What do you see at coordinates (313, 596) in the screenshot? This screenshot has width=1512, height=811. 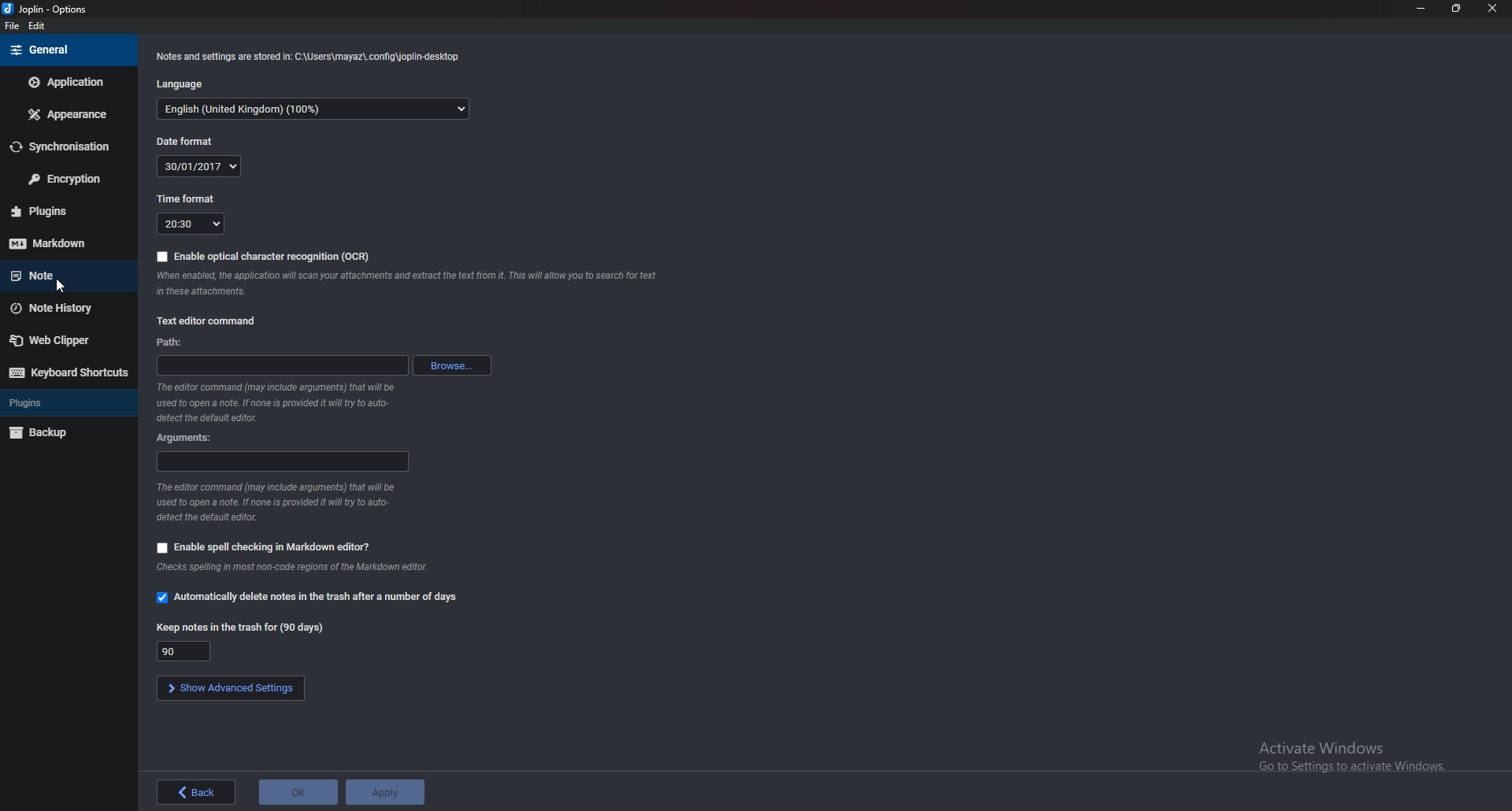 I see `Automatically delete notes` at bounding box center [313, 596].